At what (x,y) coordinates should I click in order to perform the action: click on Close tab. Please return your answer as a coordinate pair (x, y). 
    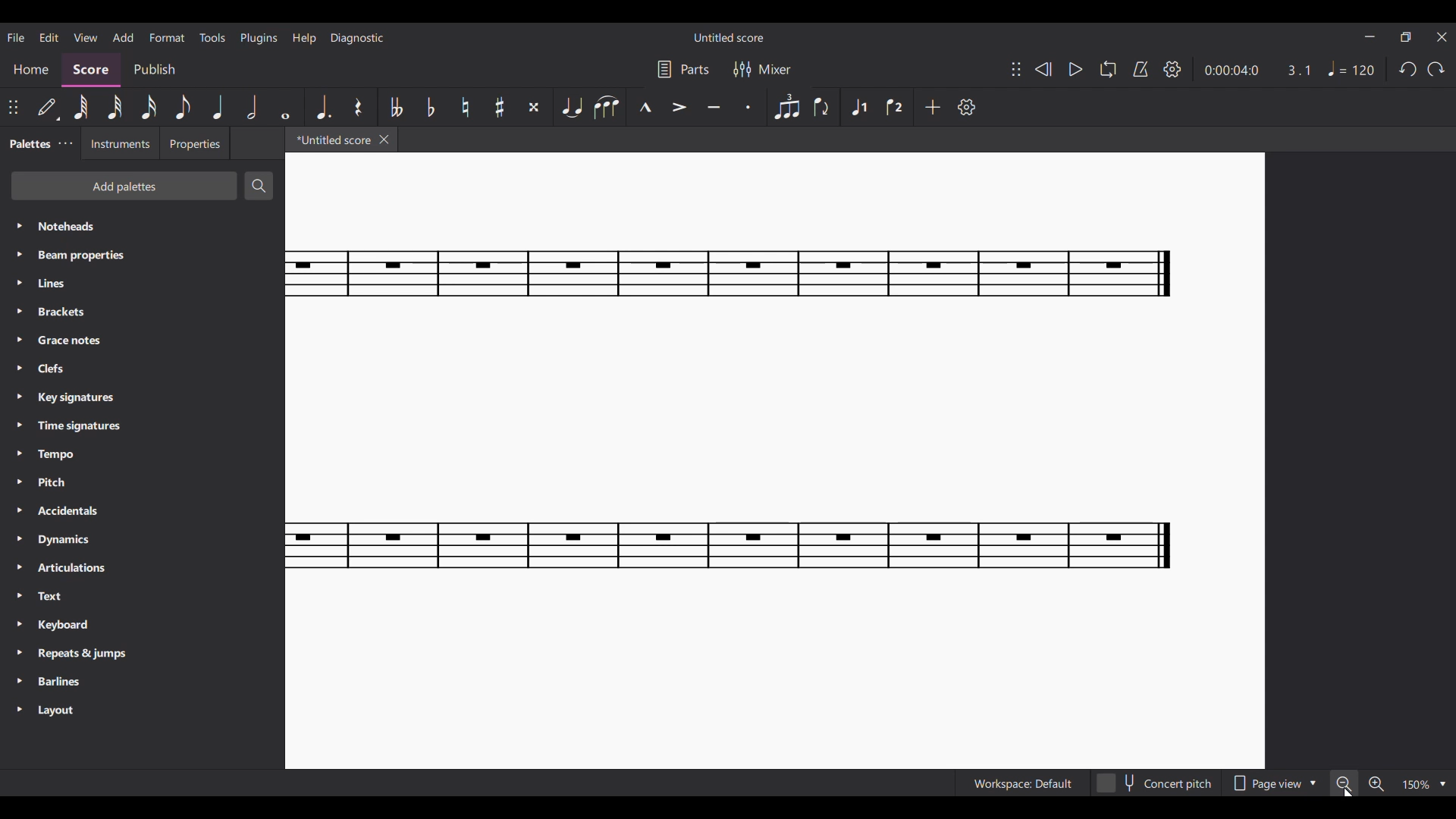
    Looking at the image, I should click on (384, 140).